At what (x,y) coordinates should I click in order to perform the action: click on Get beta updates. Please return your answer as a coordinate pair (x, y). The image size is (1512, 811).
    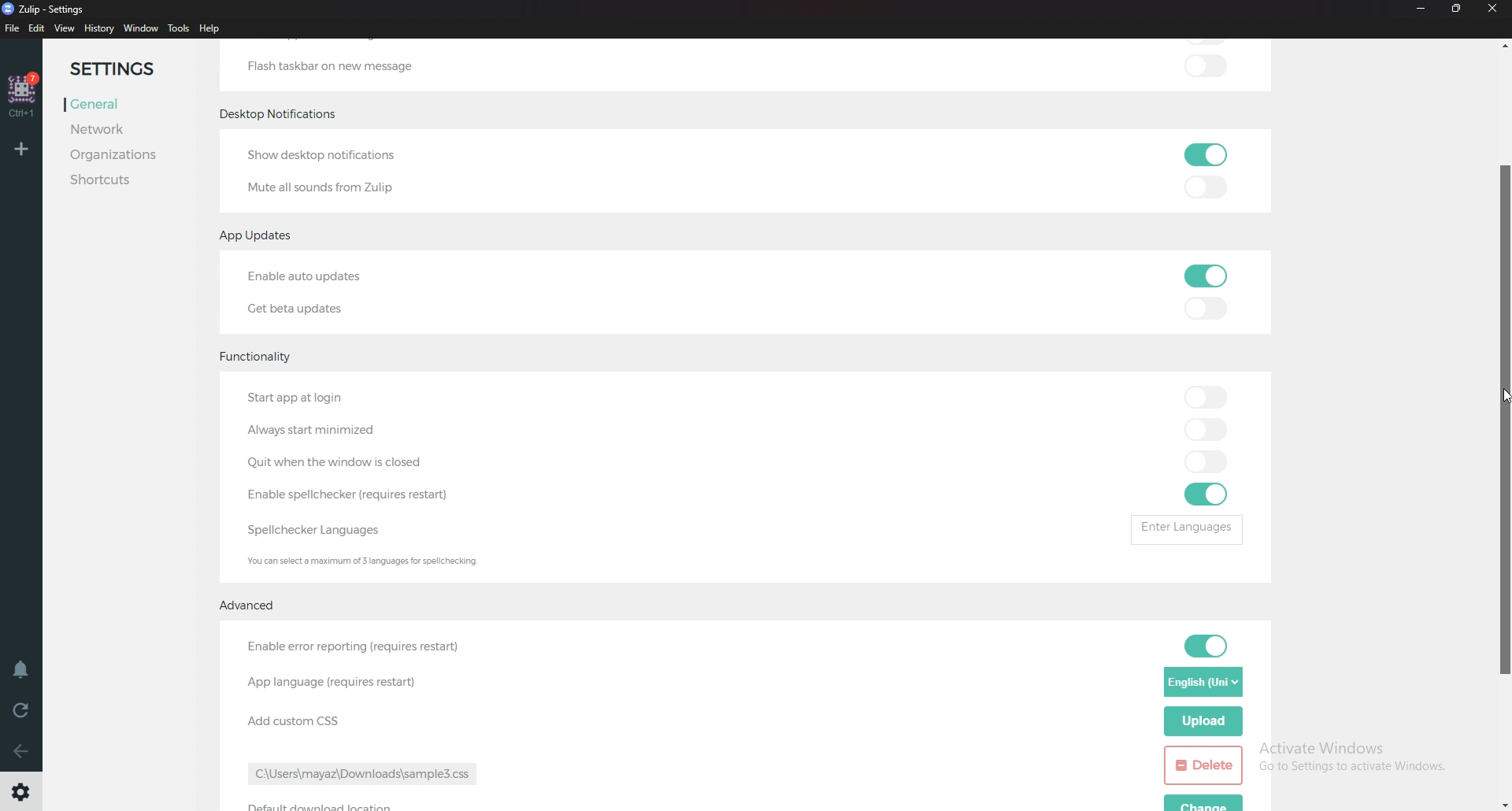
    Looking at the image, I should click on (301, 307).